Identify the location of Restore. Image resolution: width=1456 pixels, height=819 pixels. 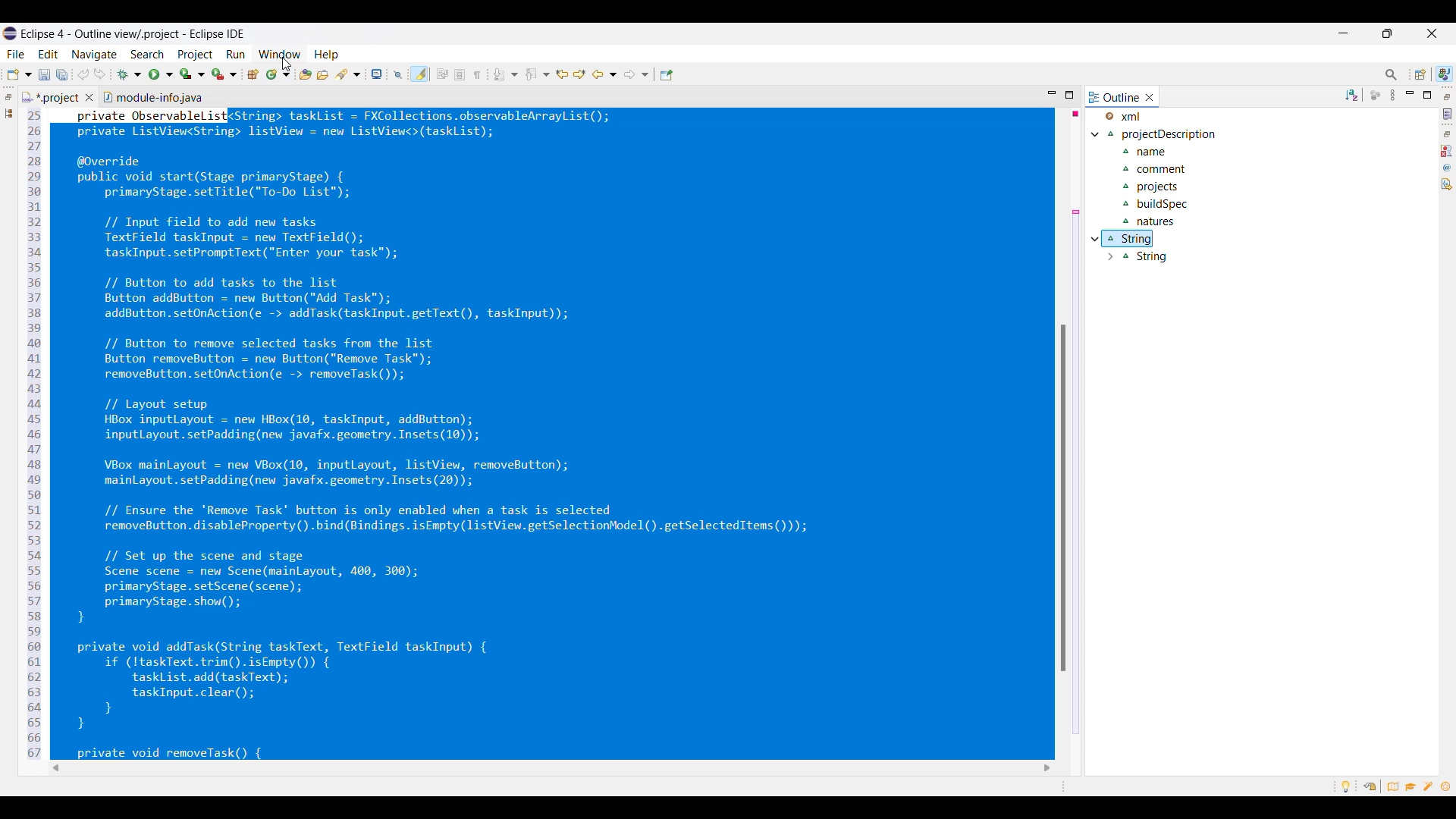
(1447, 97).